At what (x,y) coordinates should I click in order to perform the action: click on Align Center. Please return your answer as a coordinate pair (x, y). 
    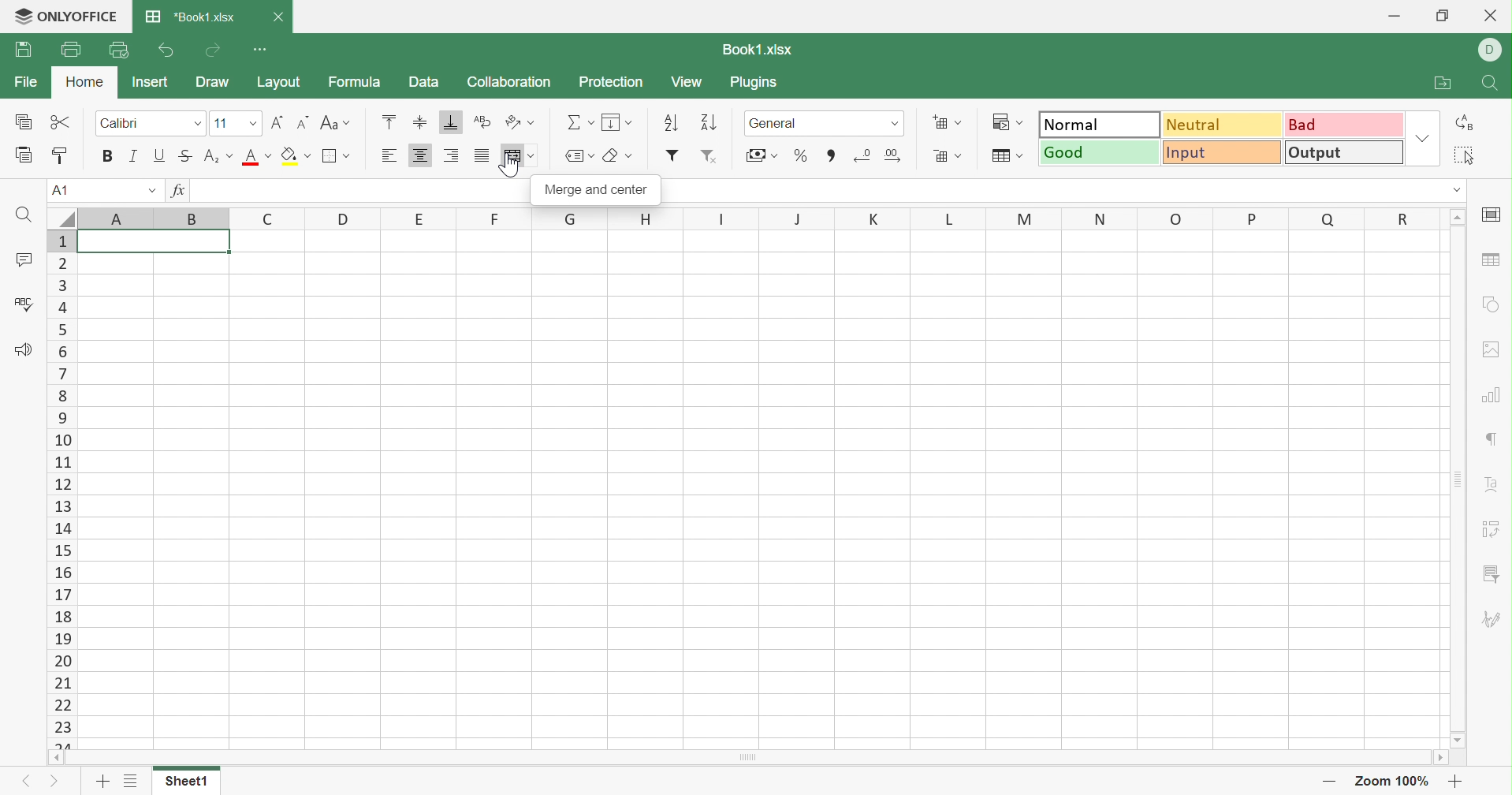
    Looking at the image, I should click on (422, 157).